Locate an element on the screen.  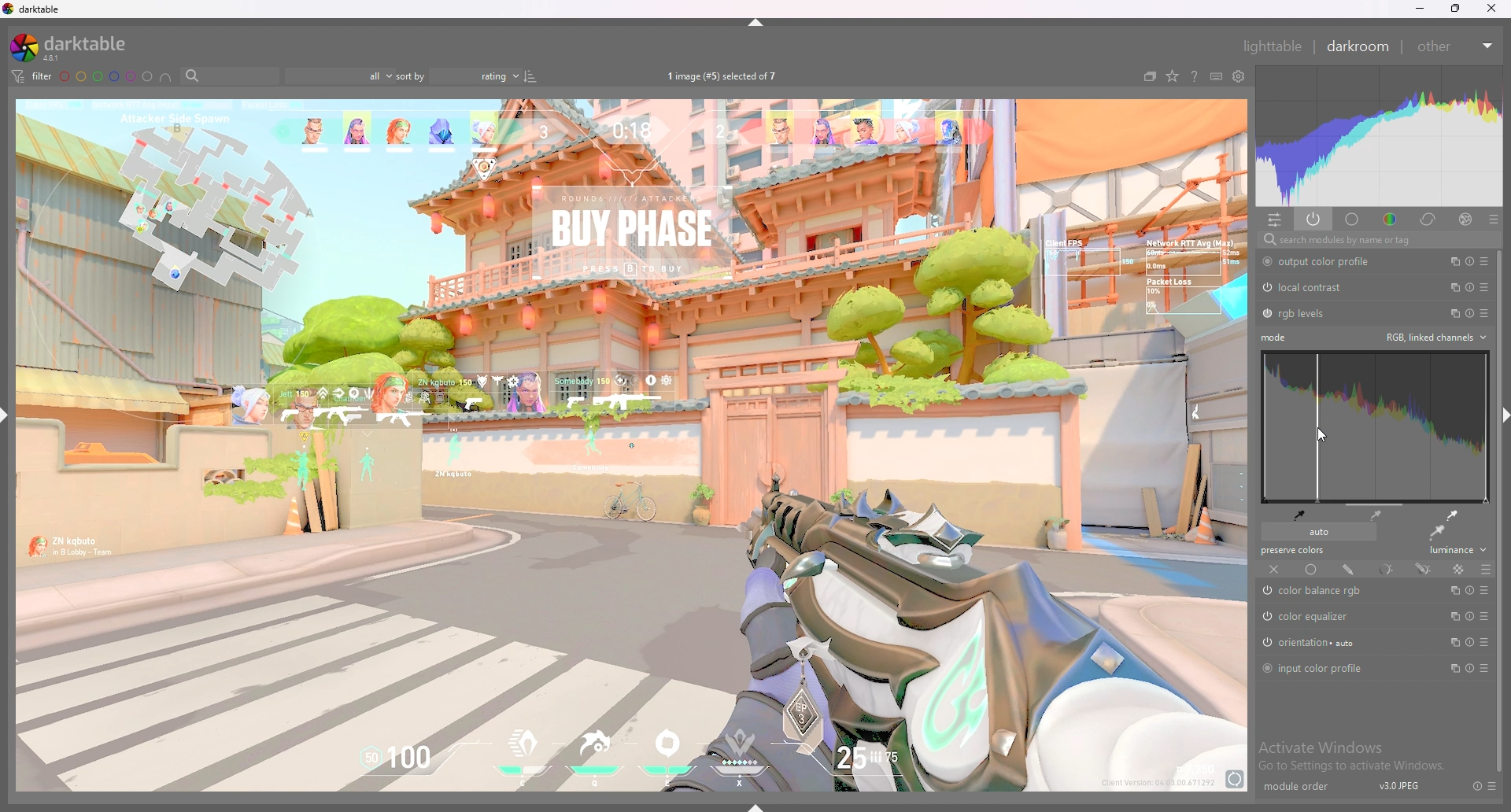
show active modules is located at coordinates (1313, 219).